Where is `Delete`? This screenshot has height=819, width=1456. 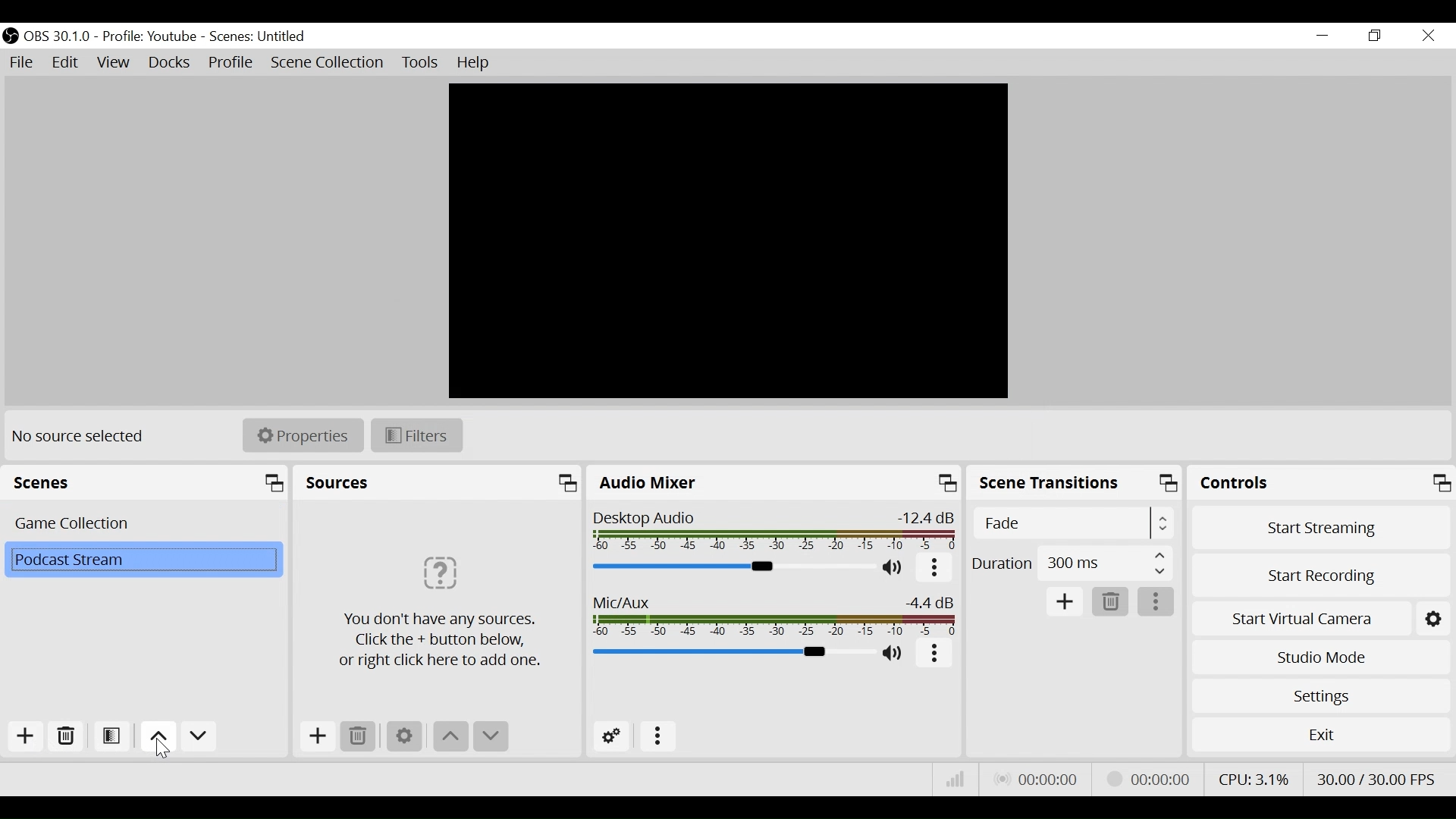
Delete is located at coordinates (357, 736).